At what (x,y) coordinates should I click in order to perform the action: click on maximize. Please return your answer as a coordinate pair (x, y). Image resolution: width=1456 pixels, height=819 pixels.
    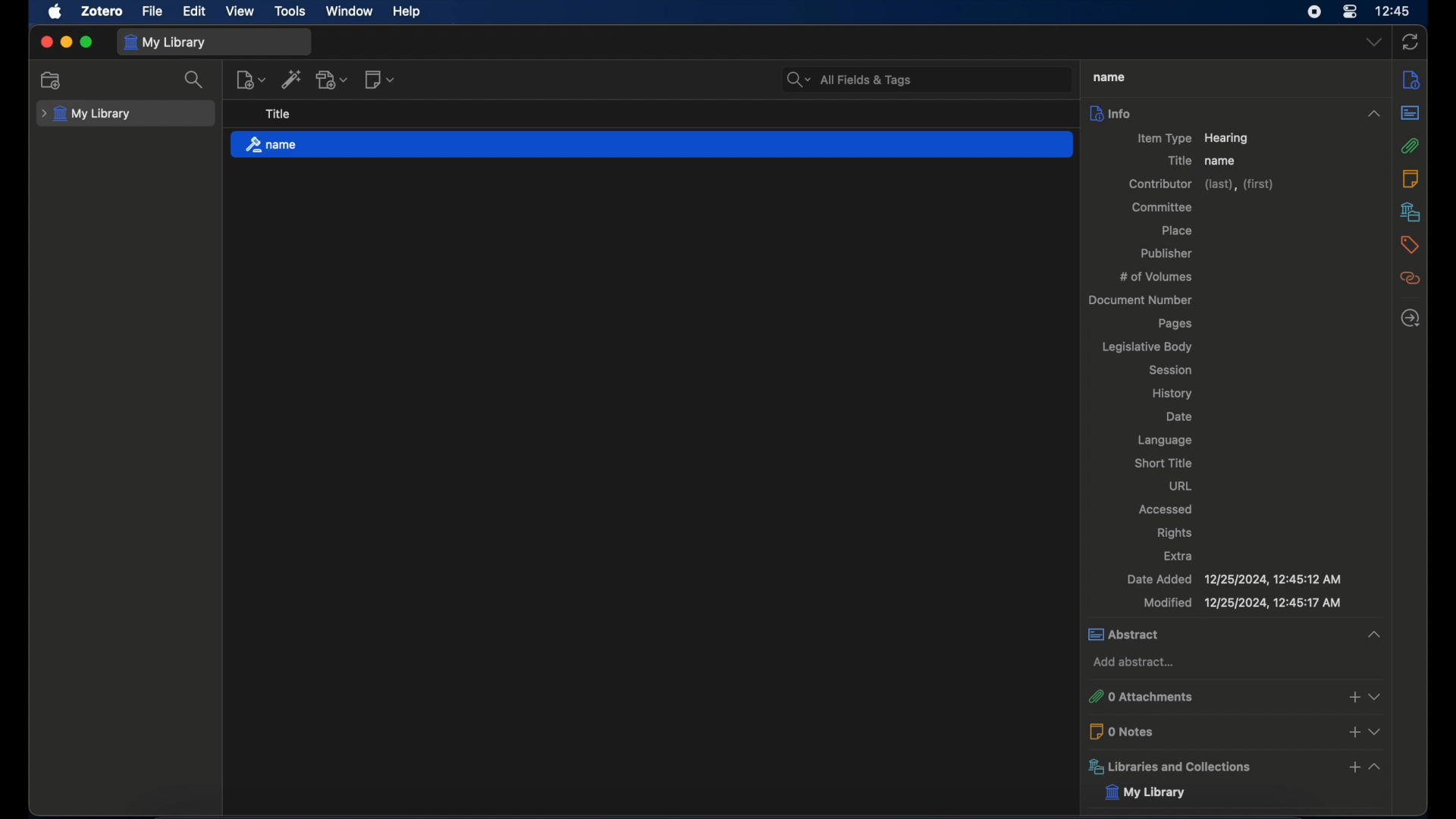
    Looking at the image, I should click on (86, 42).